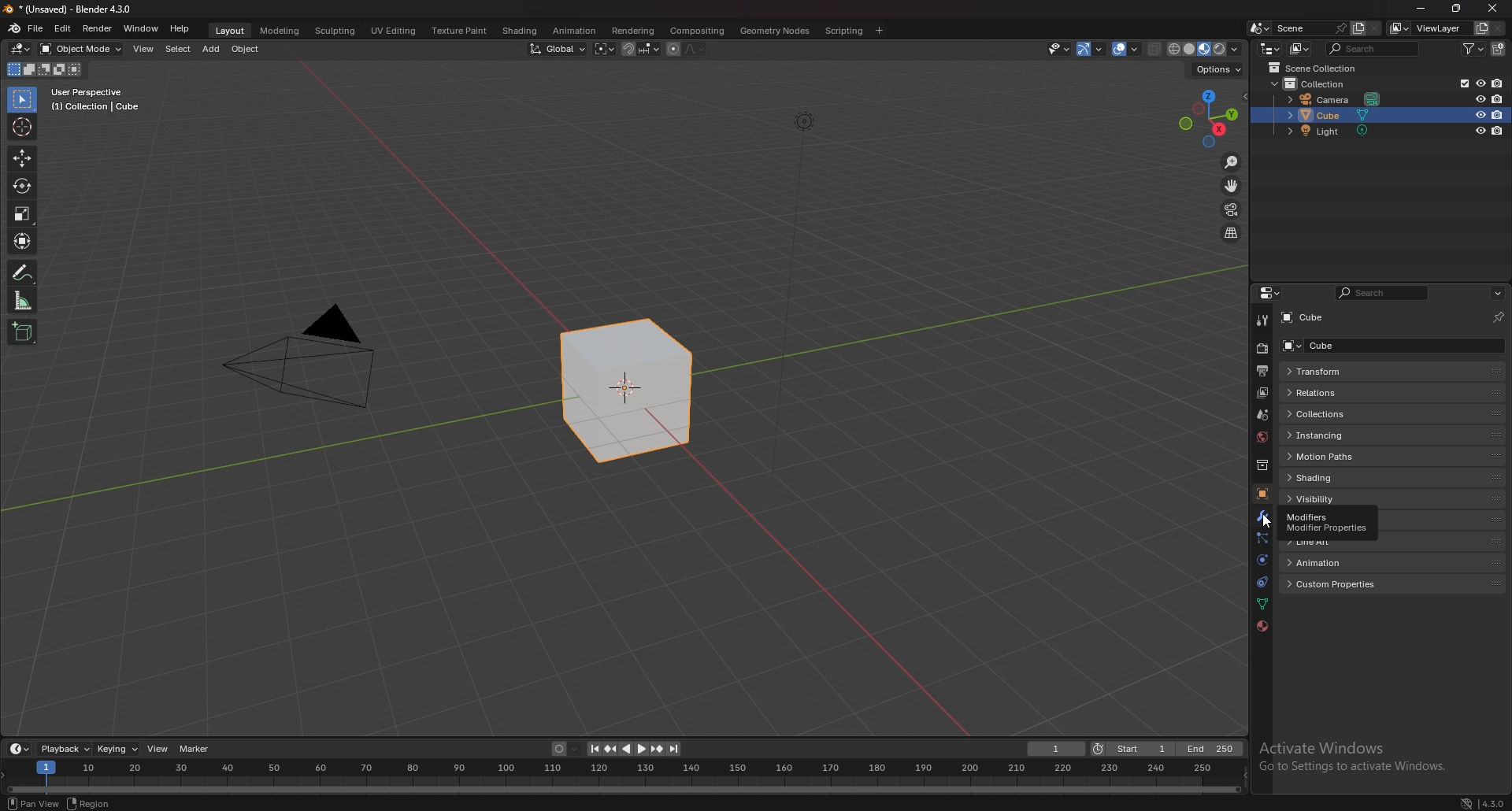 The image size is (1512, 811). Describe the element at coordinates (879, 31) in the screenshot. I see `add workspace` at that location.